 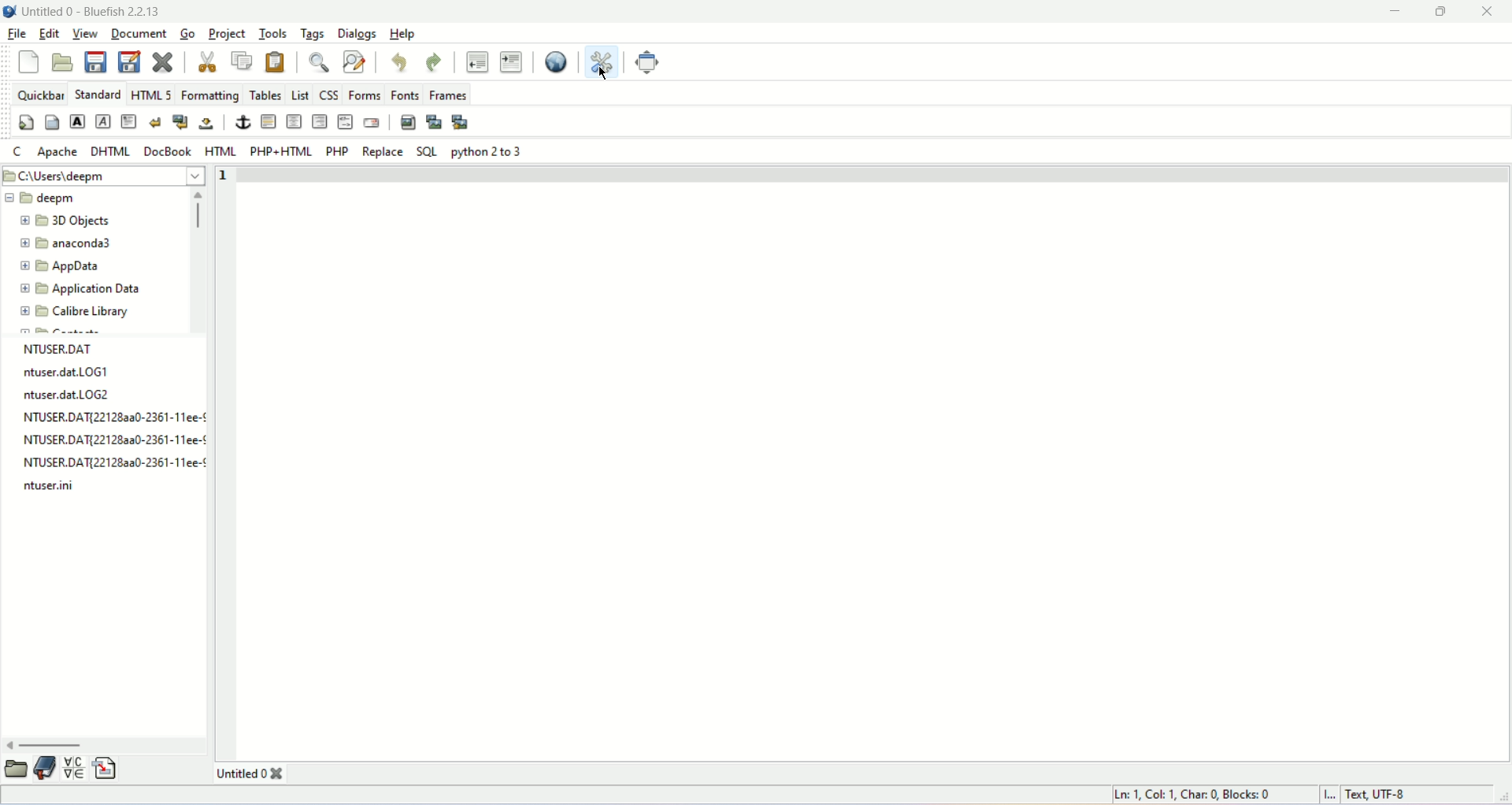 I want to click on HTML comment, so click(x=345, y=121).